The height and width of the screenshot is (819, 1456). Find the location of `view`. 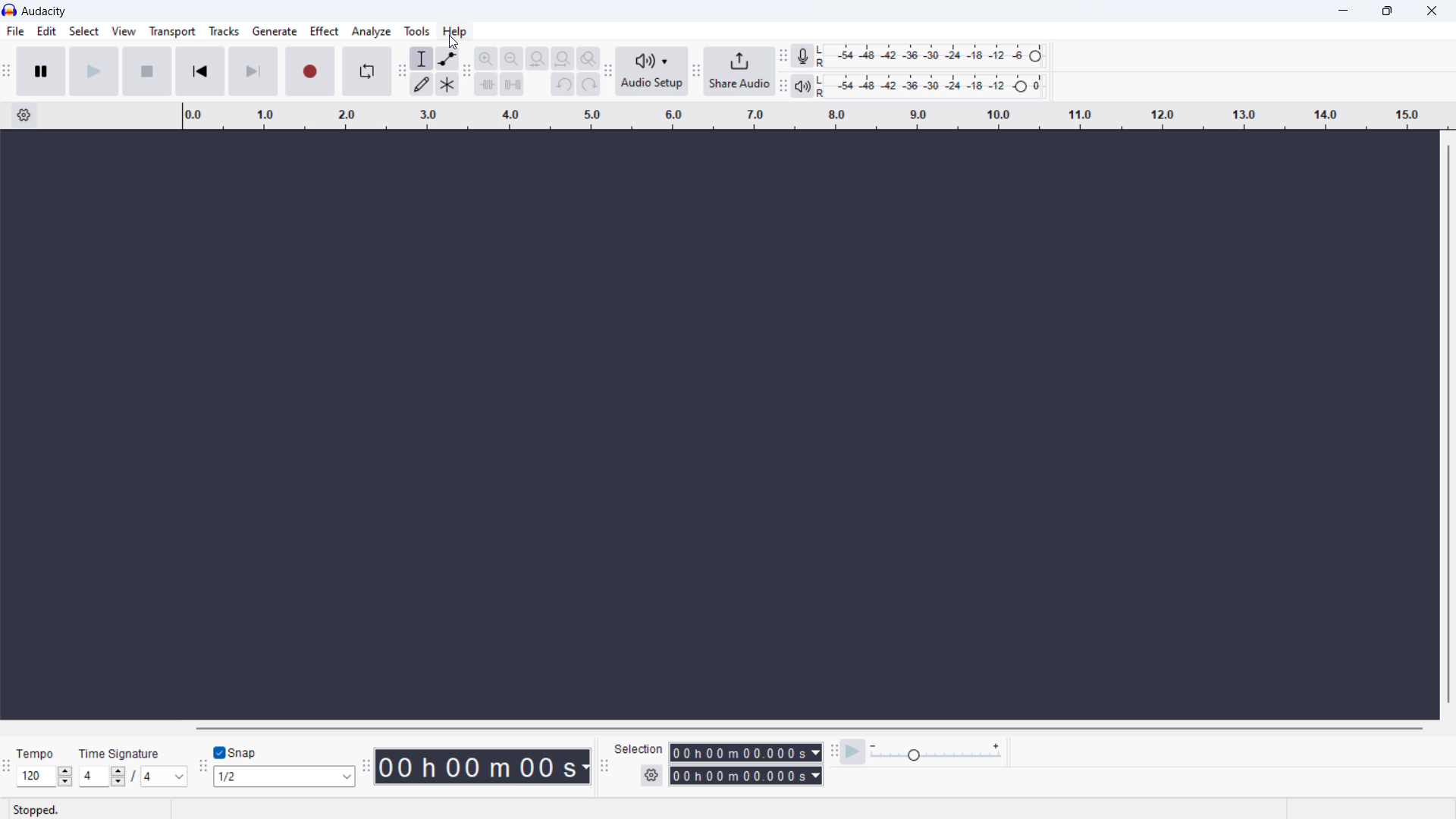

view is located at coordinates (124, 31).